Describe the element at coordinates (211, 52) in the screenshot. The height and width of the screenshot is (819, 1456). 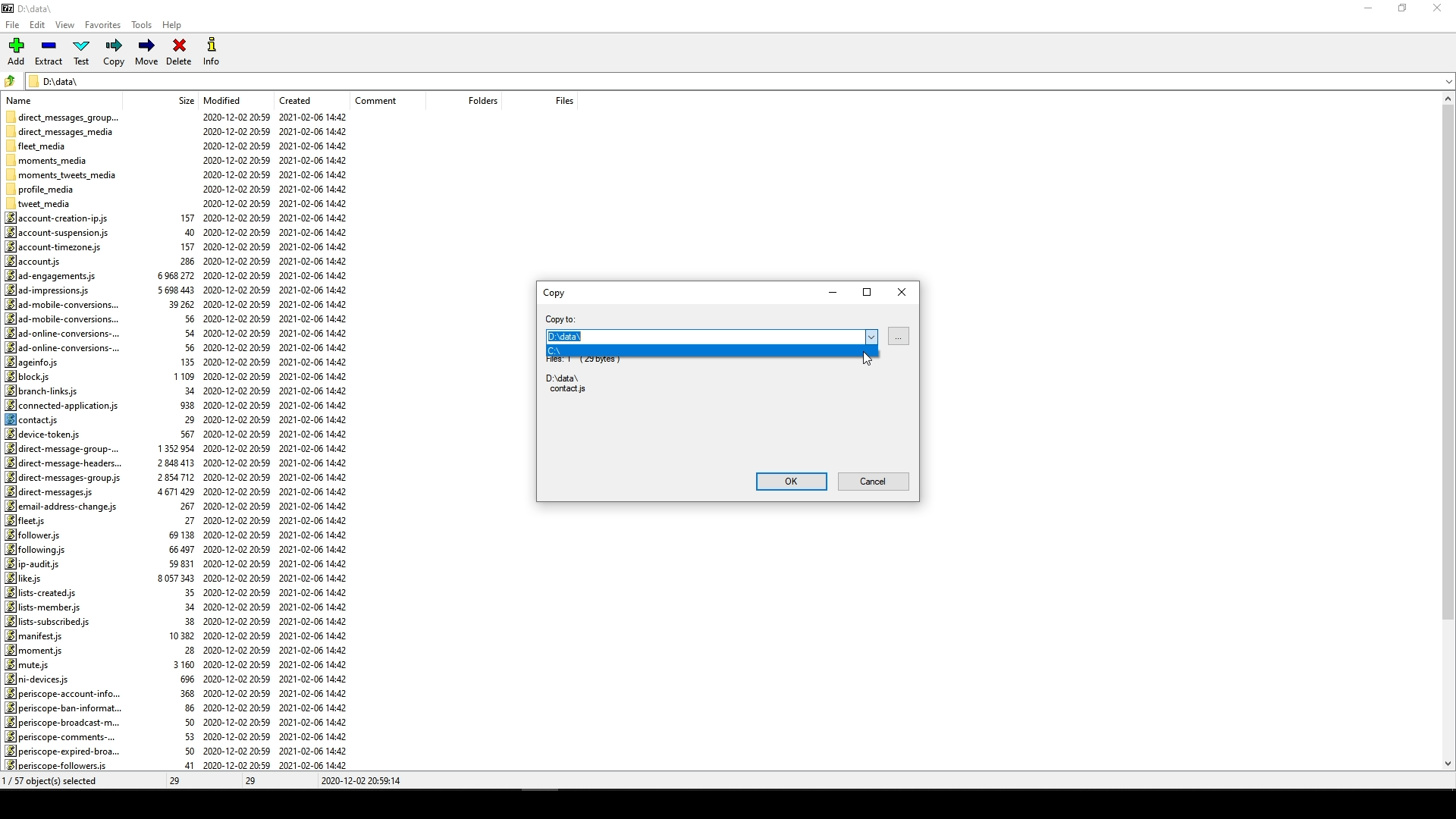
I see `Info` at that location.